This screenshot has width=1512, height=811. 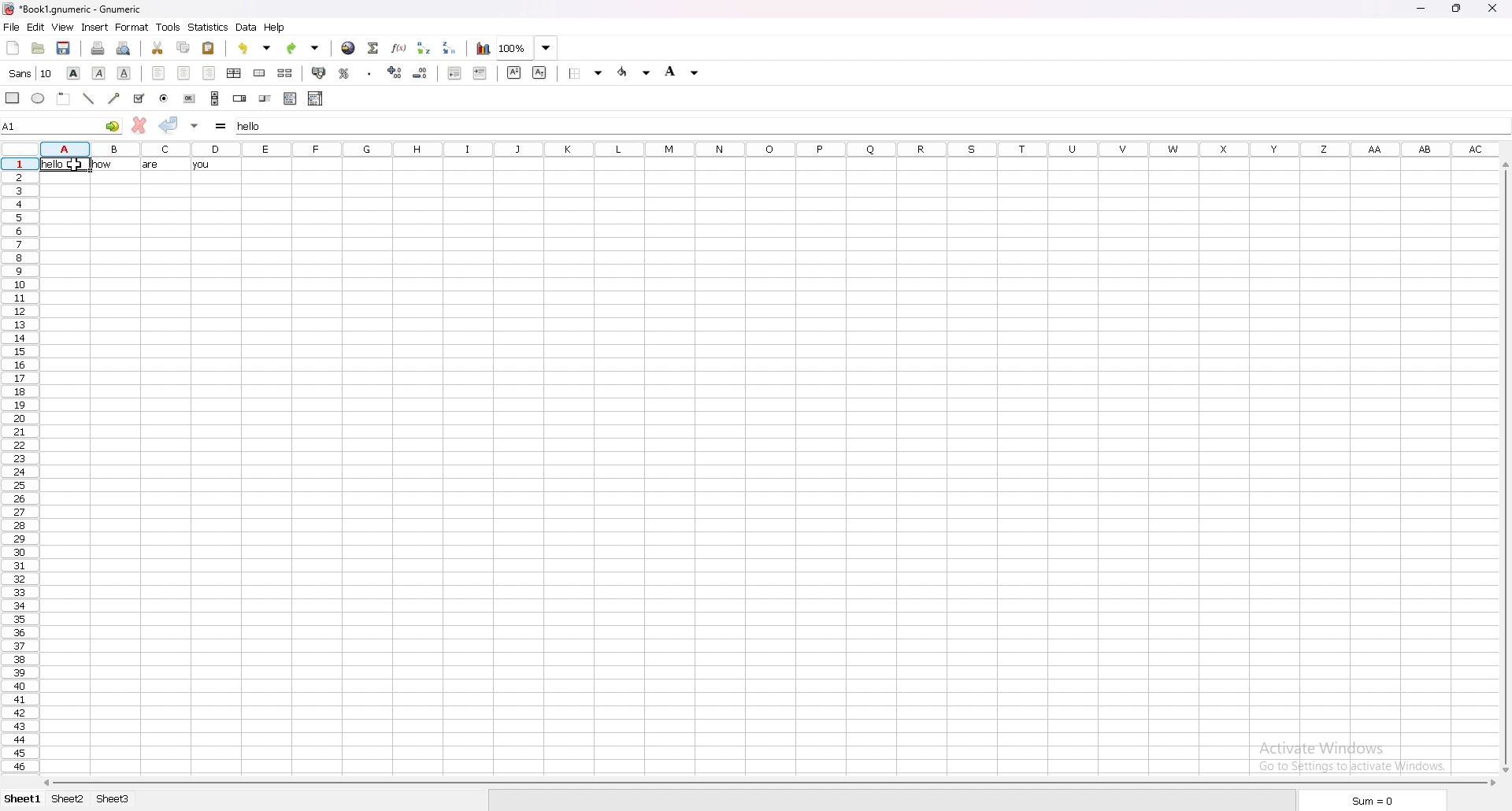 I want to click on how, so click(x=109, y=165).